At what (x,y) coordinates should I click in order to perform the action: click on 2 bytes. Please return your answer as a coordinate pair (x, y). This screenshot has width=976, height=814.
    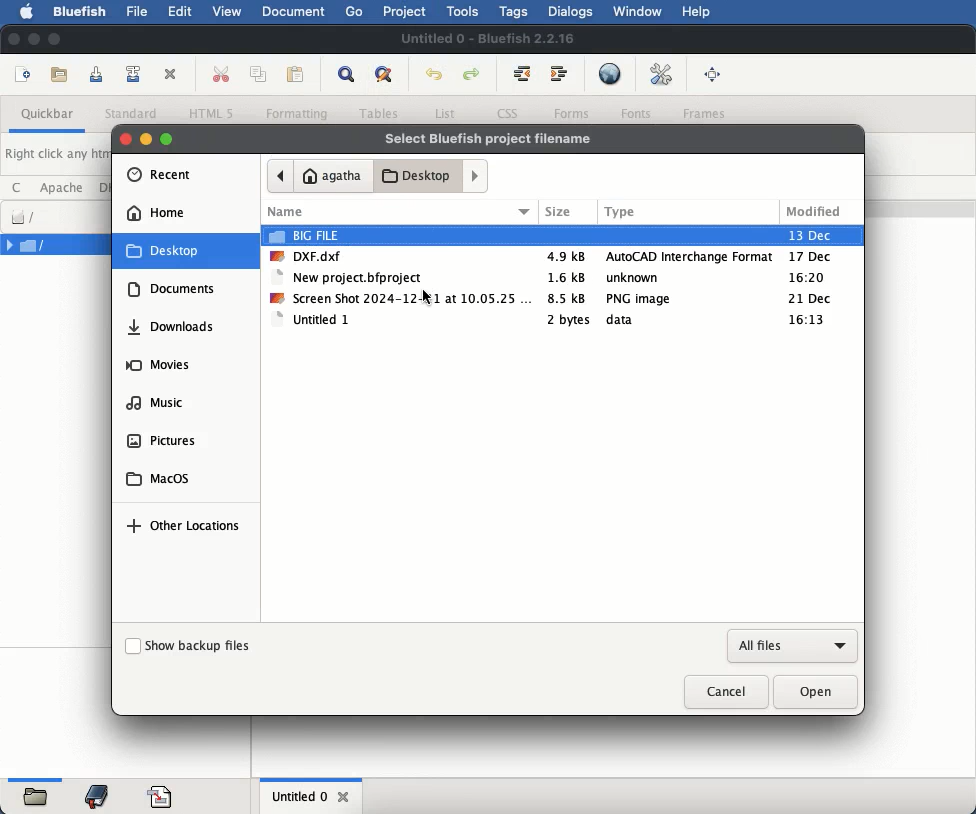
    Looking at the image, I should click on (570, 321).